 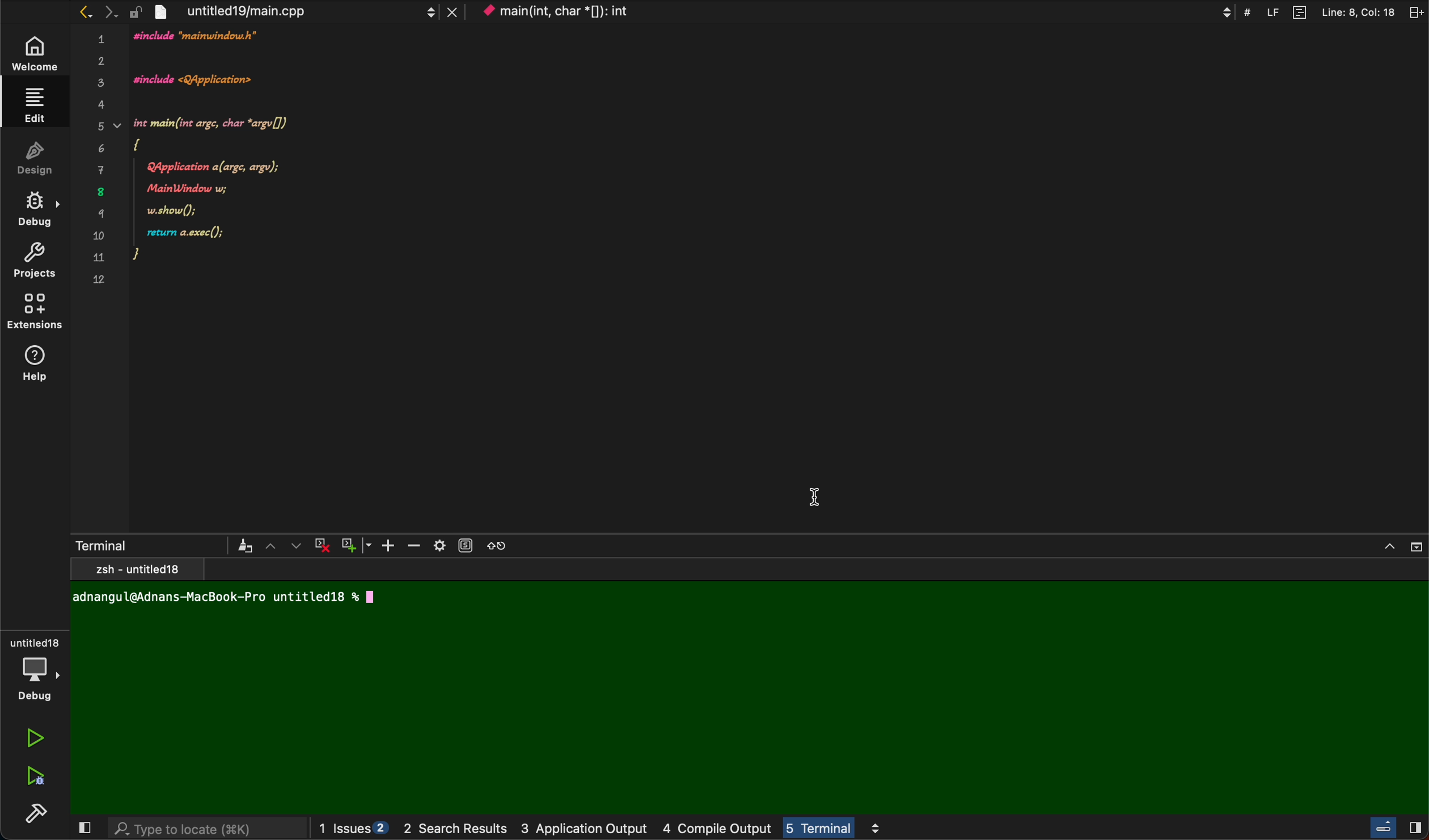 What do you see at coordinates (1403, 543) in the screenshot?
I see `close` at bounding box center [1403, 543].